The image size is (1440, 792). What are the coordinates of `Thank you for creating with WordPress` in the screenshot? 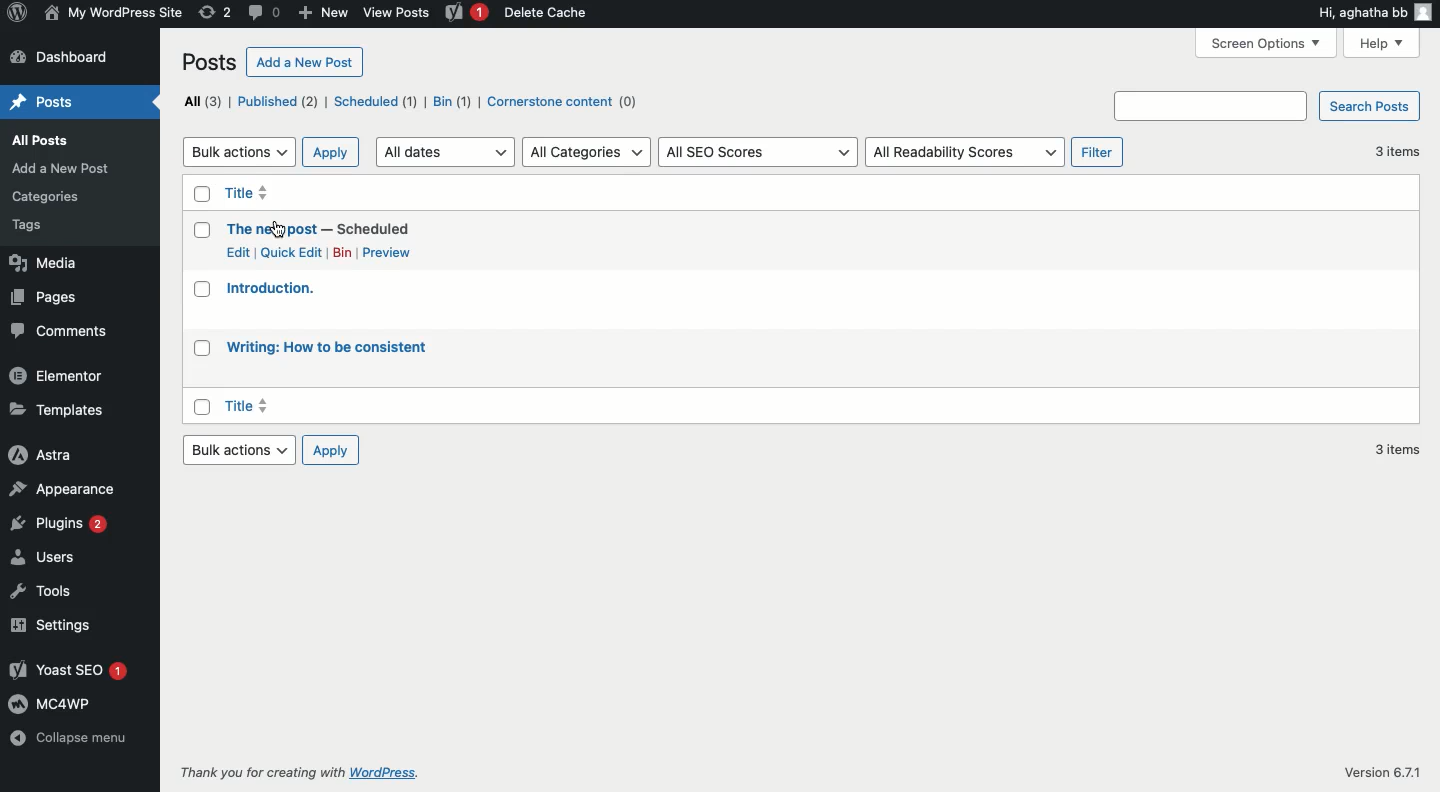 It's located at (298, 771).